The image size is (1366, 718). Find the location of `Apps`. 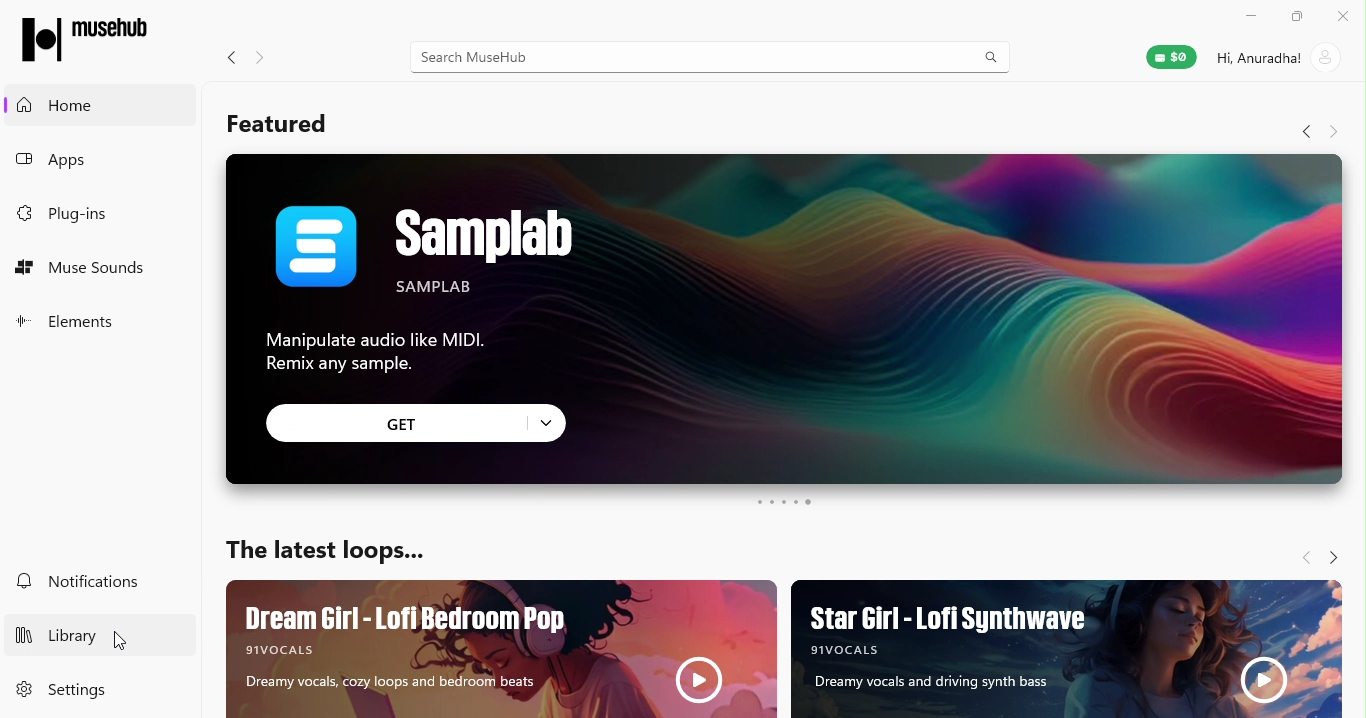

Apps is located at coordinates (97, 159).